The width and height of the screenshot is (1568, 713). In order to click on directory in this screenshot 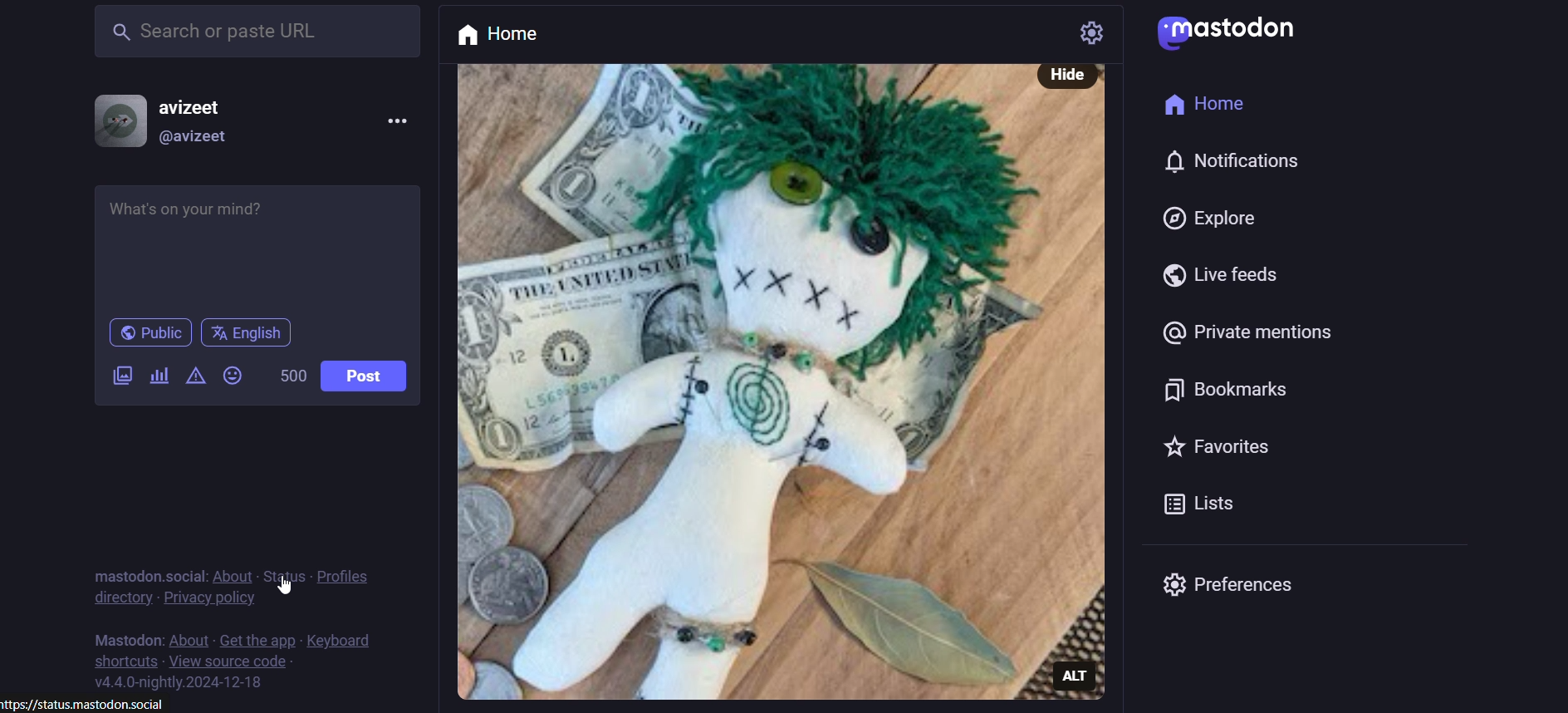, I will do `click(120, 597)`.